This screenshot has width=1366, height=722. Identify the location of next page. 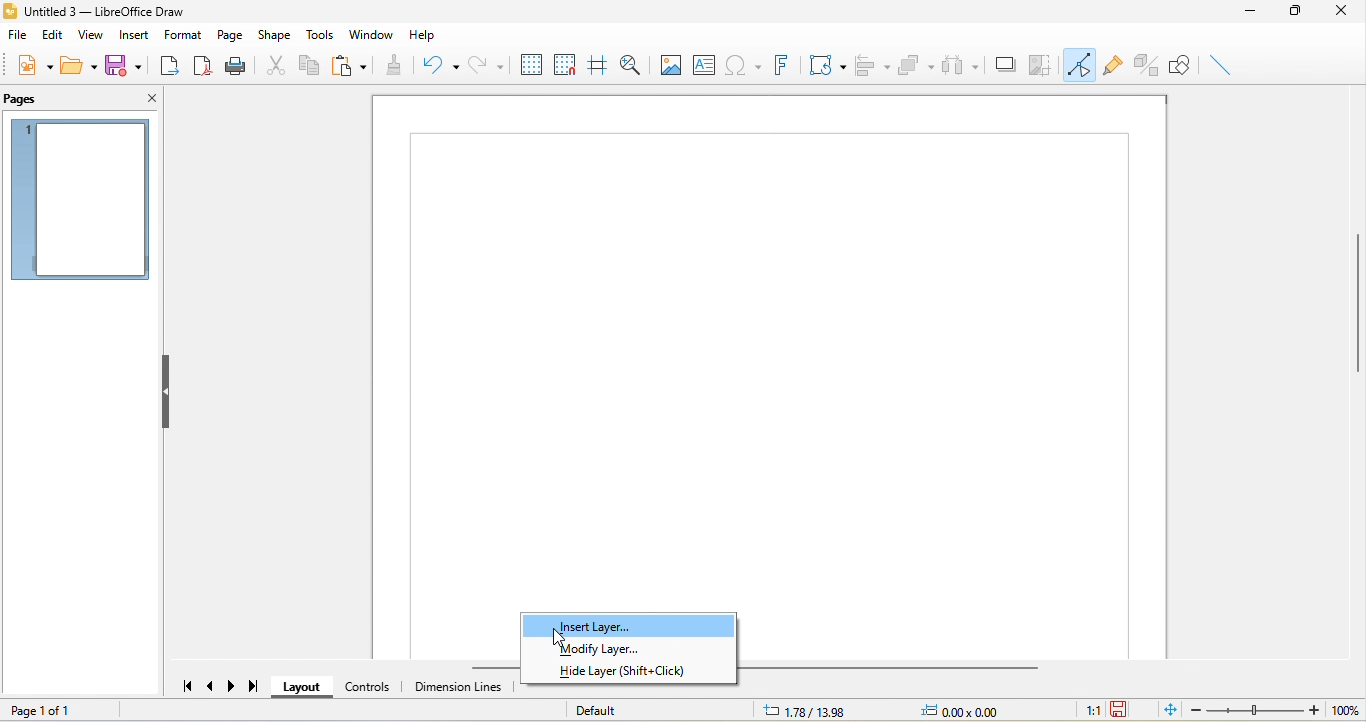
(235, 685).